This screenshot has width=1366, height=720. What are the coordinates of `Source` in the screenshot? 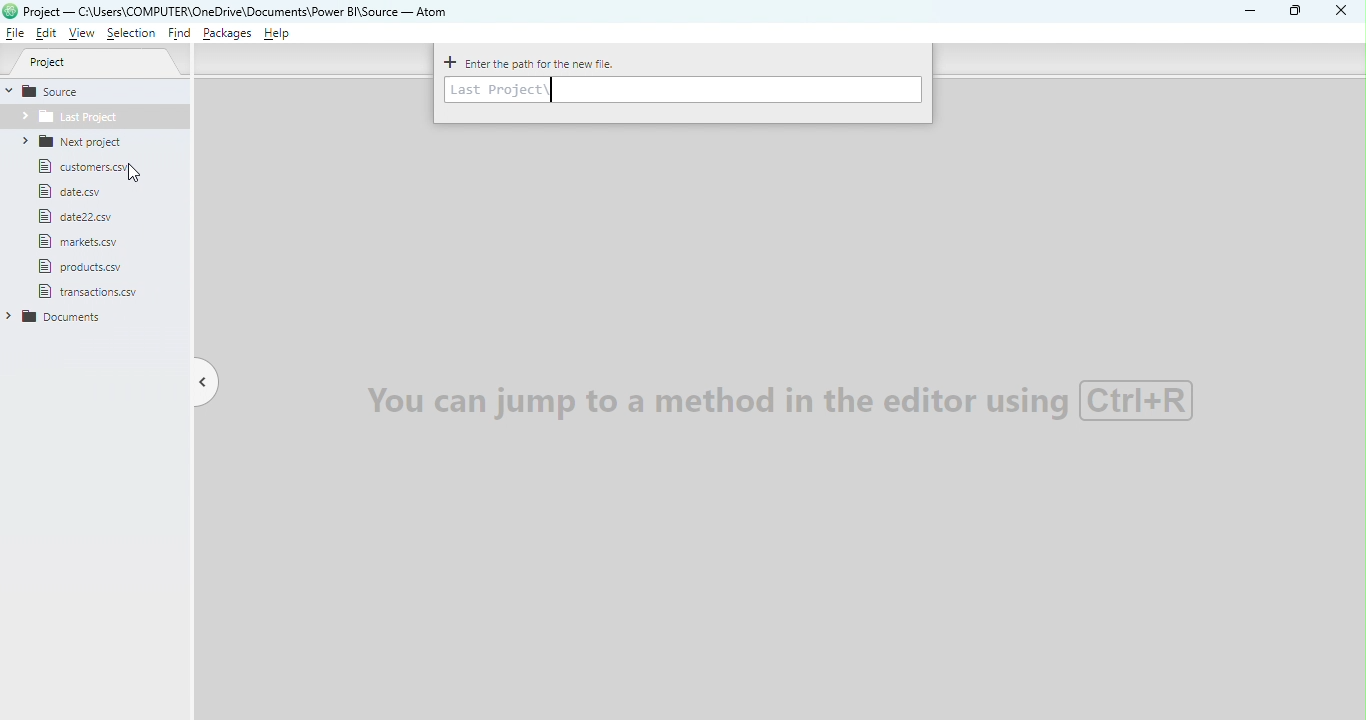 It's located at (59, 92).